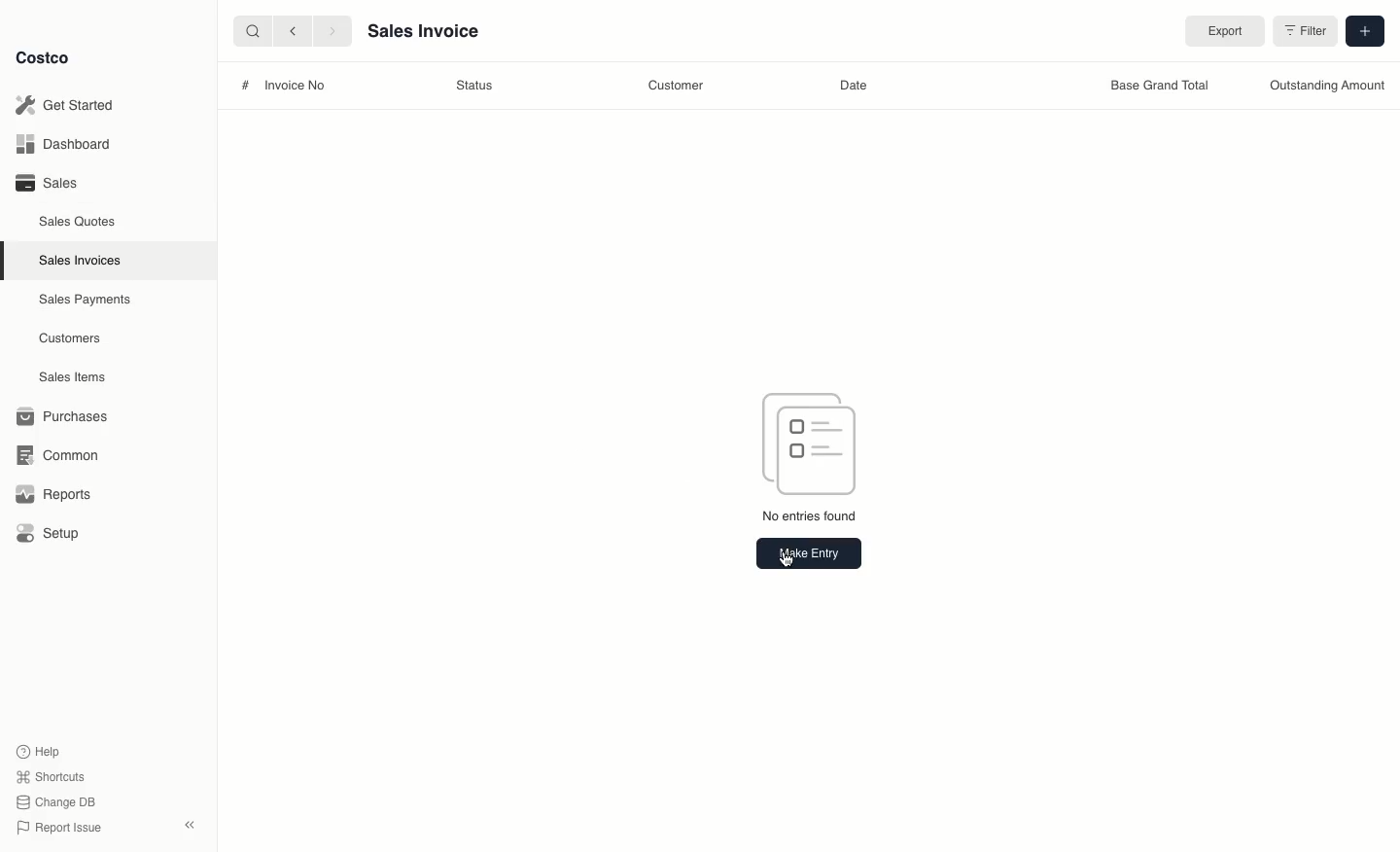 This screenshot has height=852, width=1400. Describe the element at coordinates (808, 515) in the screenshot. I see `No entries found` at that location.